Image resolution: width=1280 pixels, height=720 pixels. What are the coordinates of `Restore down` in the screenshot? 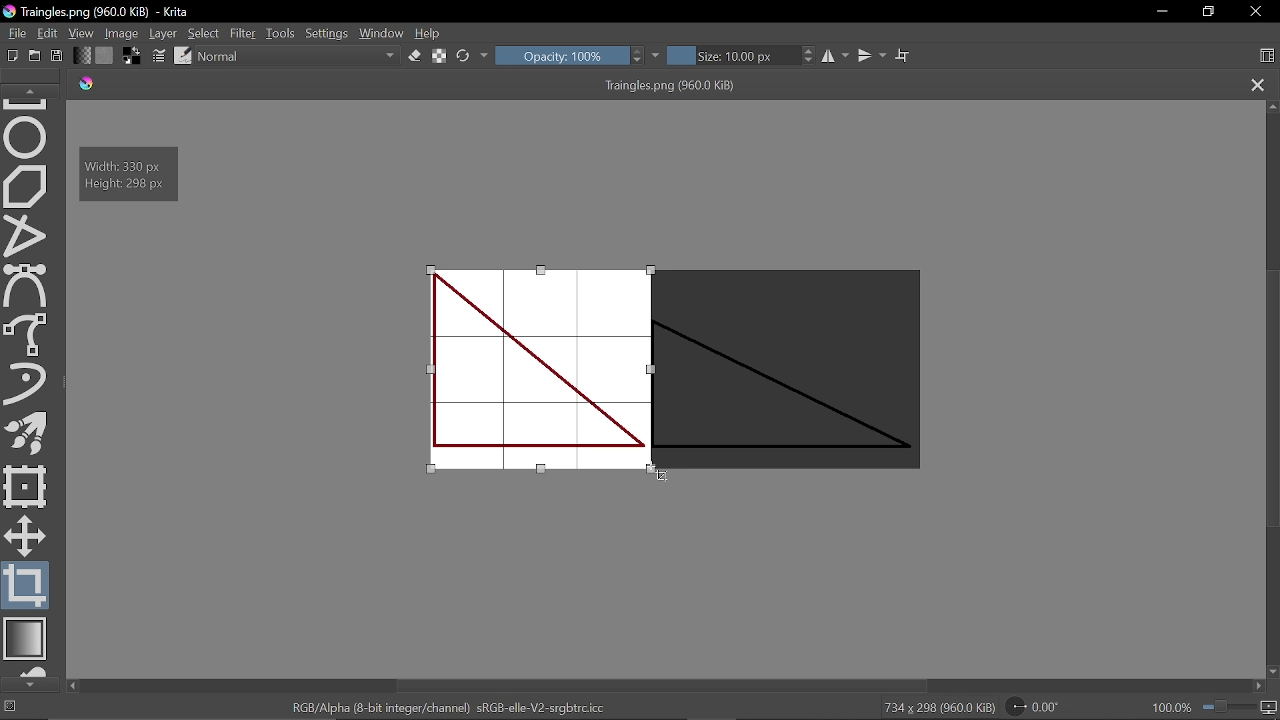 It's located at (1209, 12).